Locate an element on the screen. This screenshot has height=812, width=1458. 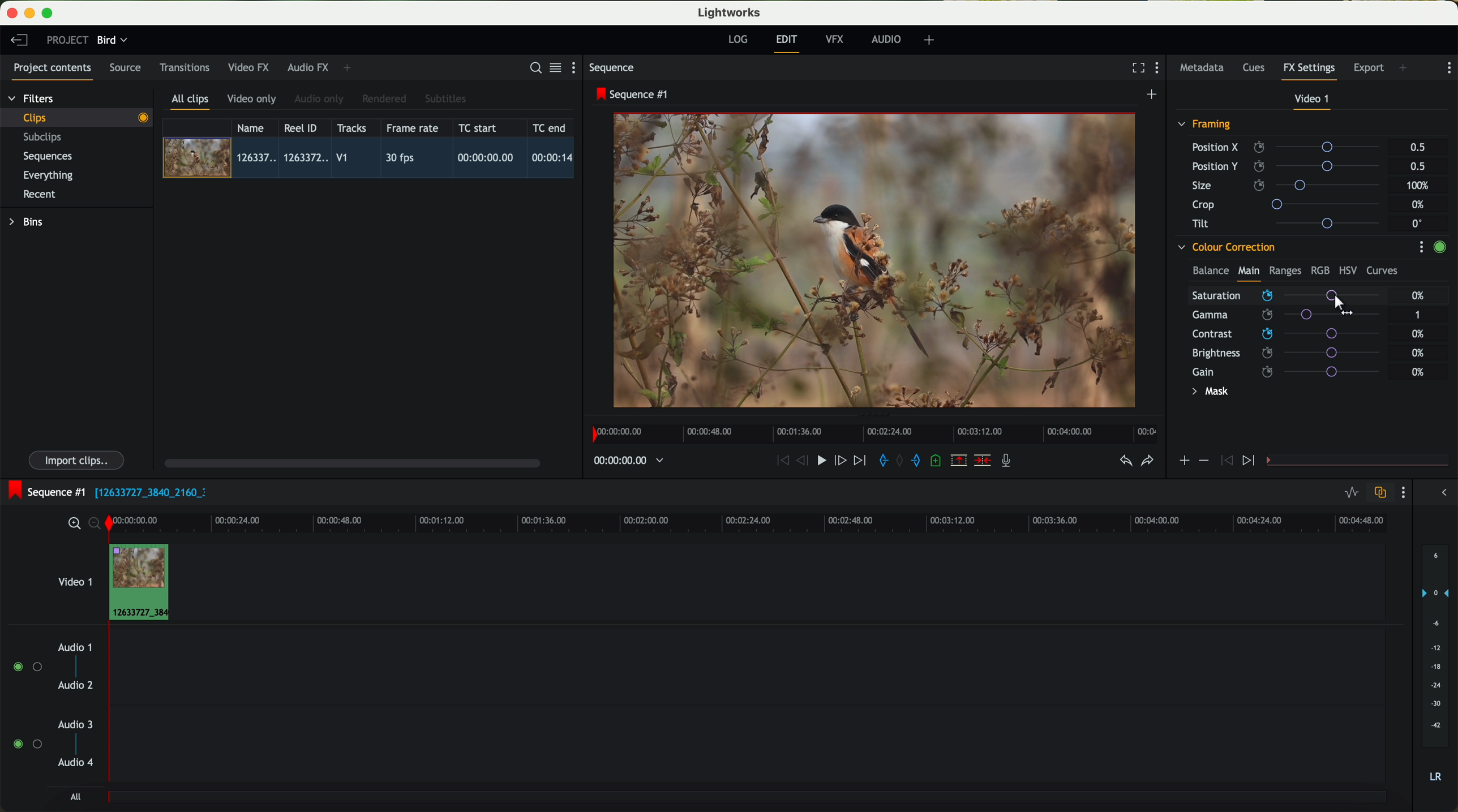
audio output level (d/B) is located at coordinates (1436, 667).